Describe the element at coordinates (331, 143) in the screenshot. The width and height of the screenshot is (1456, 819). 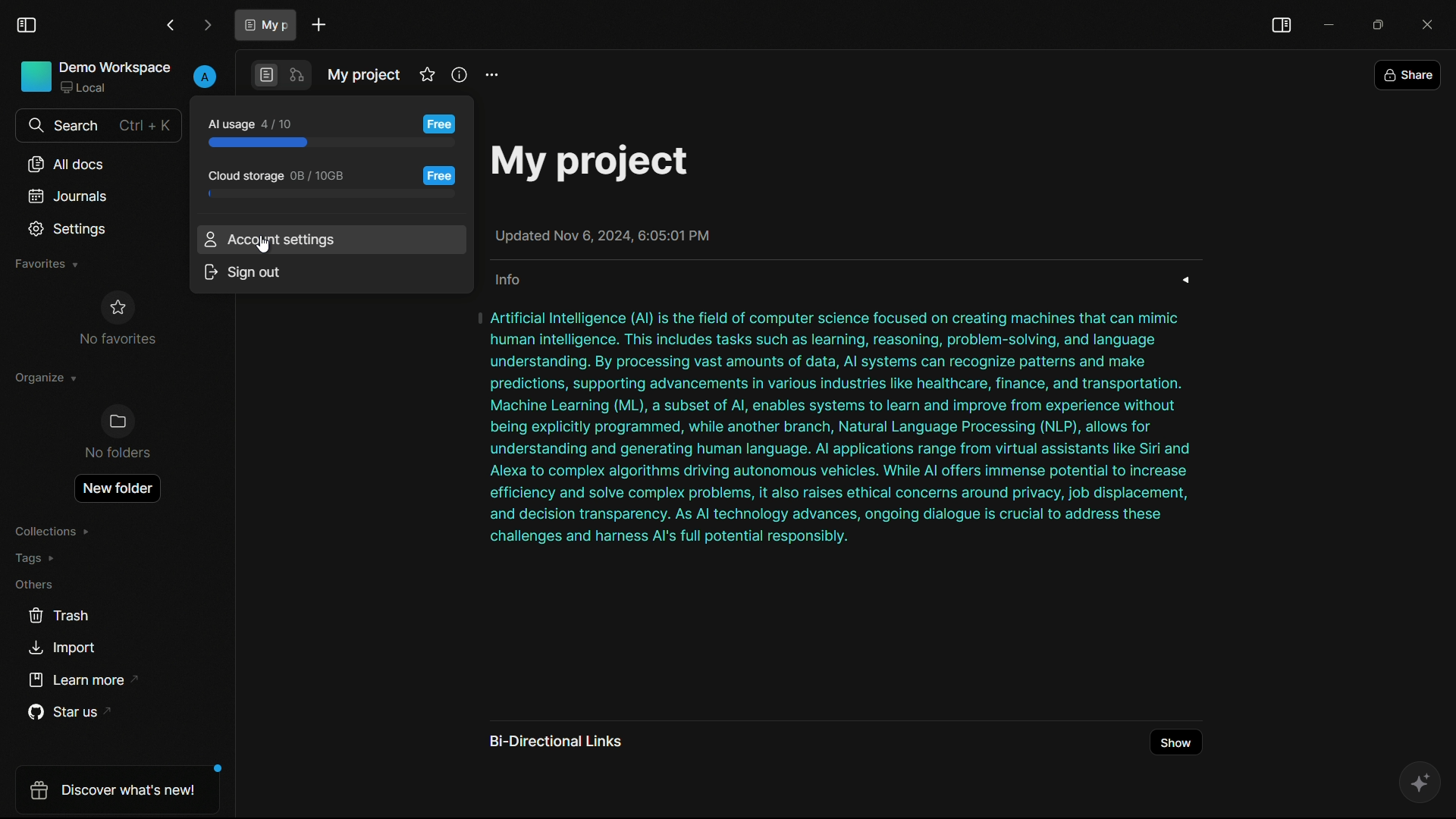
I see `progress bar` at that location.